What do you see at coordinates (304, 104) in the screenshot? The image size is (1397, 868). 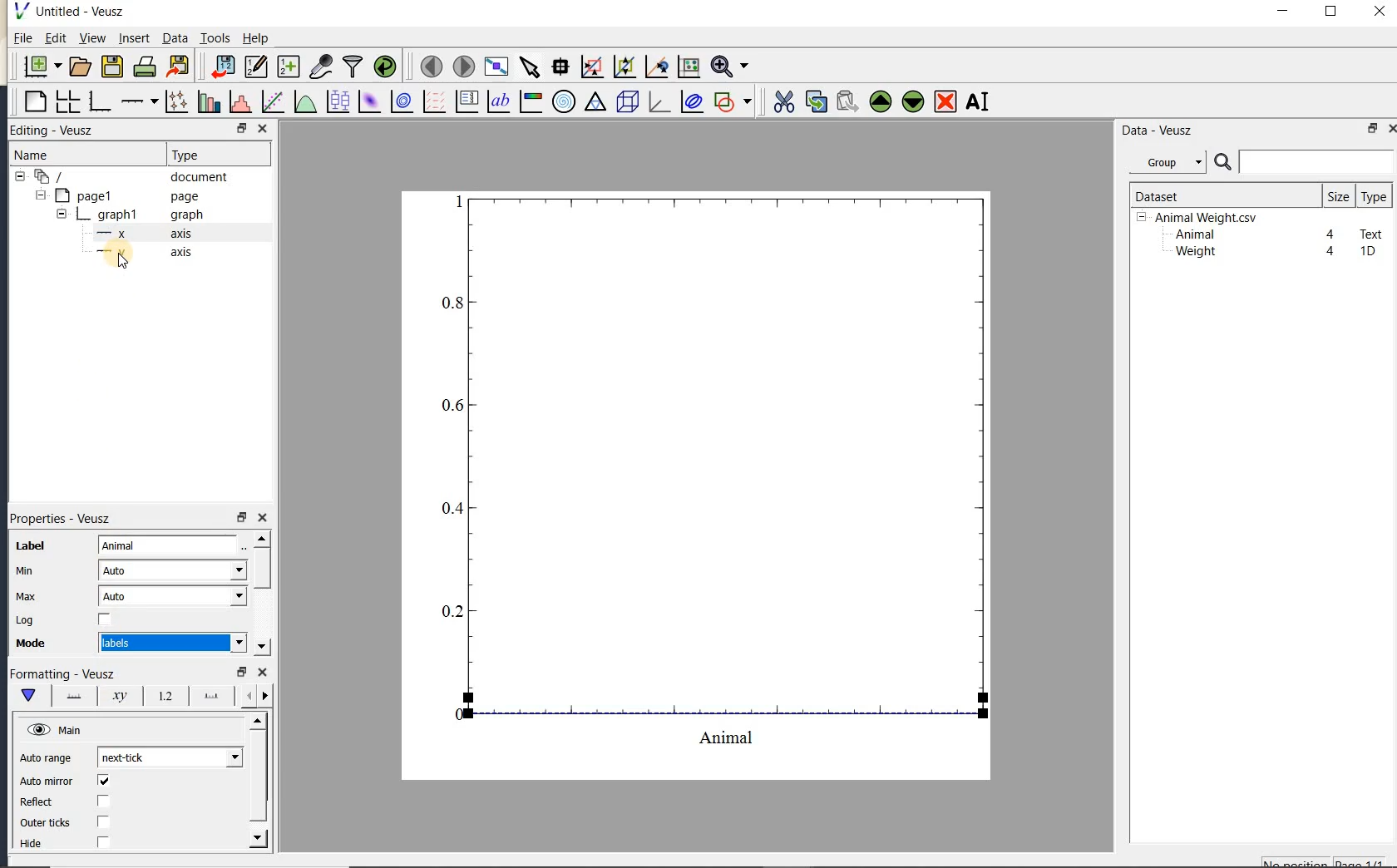 I see `plot a function` at bounding box center [304, 104].